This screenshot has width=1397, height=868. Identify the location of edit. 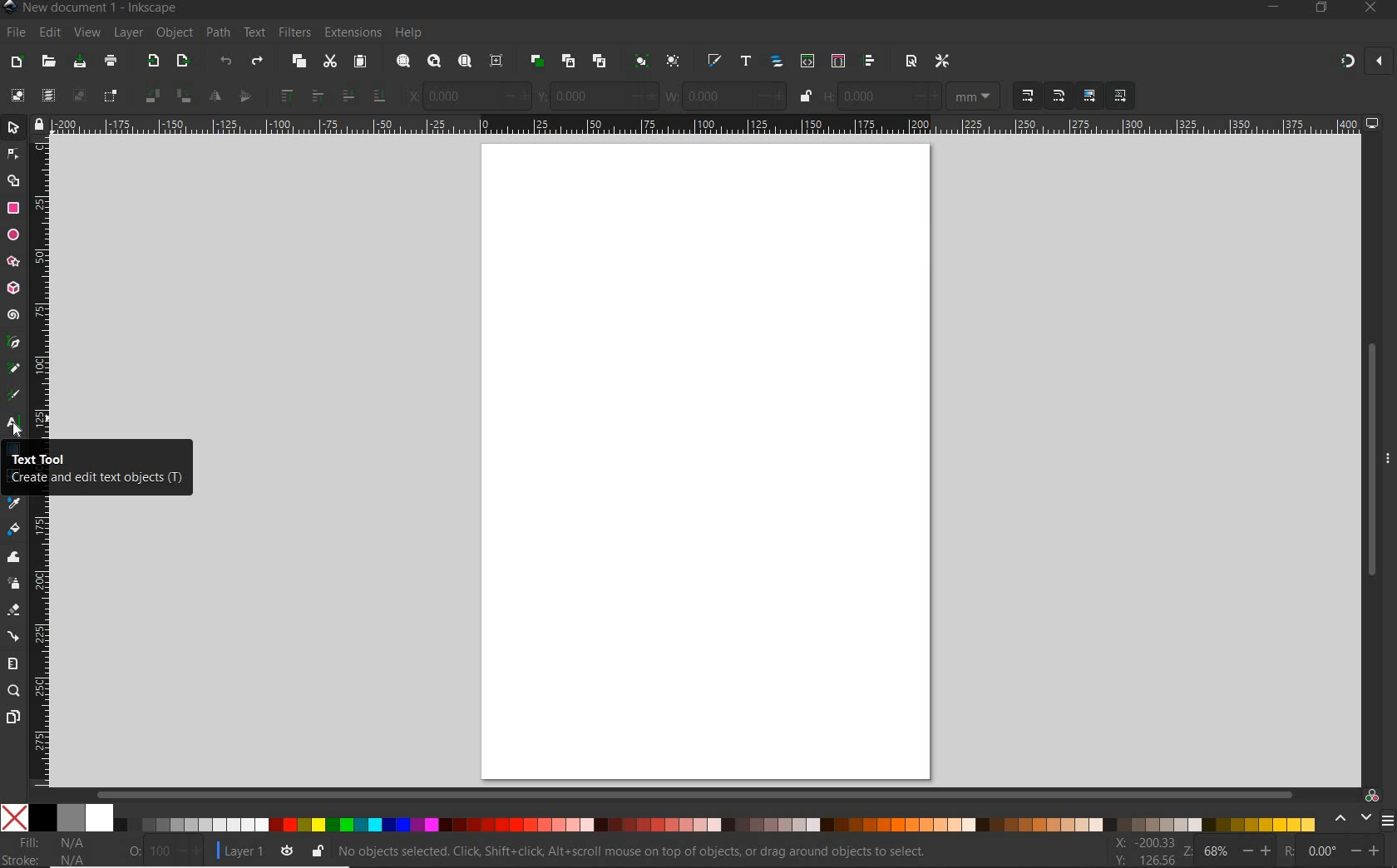
(49, 33).